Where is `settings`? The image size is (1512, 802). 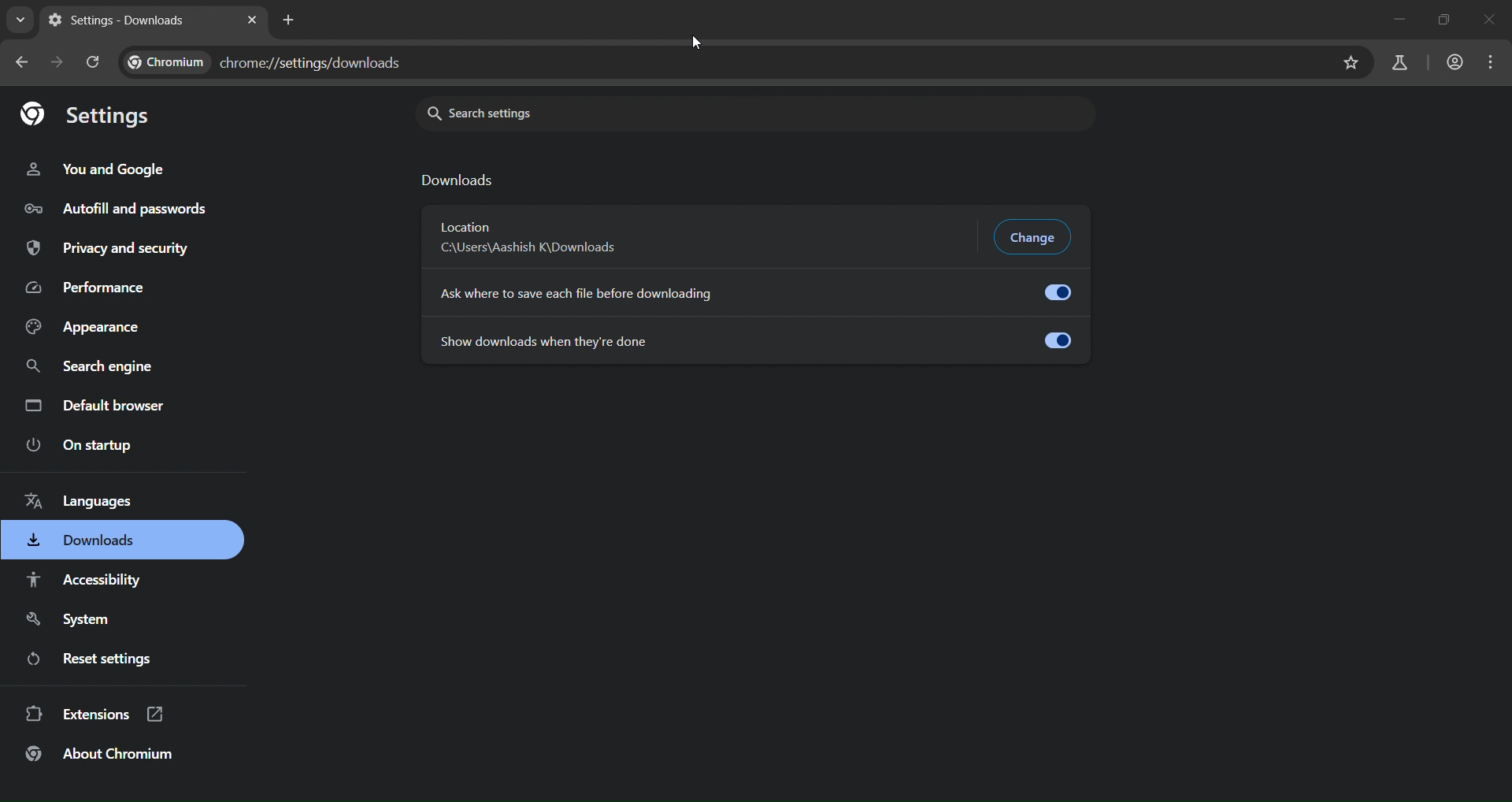 settings is located at coordinates (88, 115).